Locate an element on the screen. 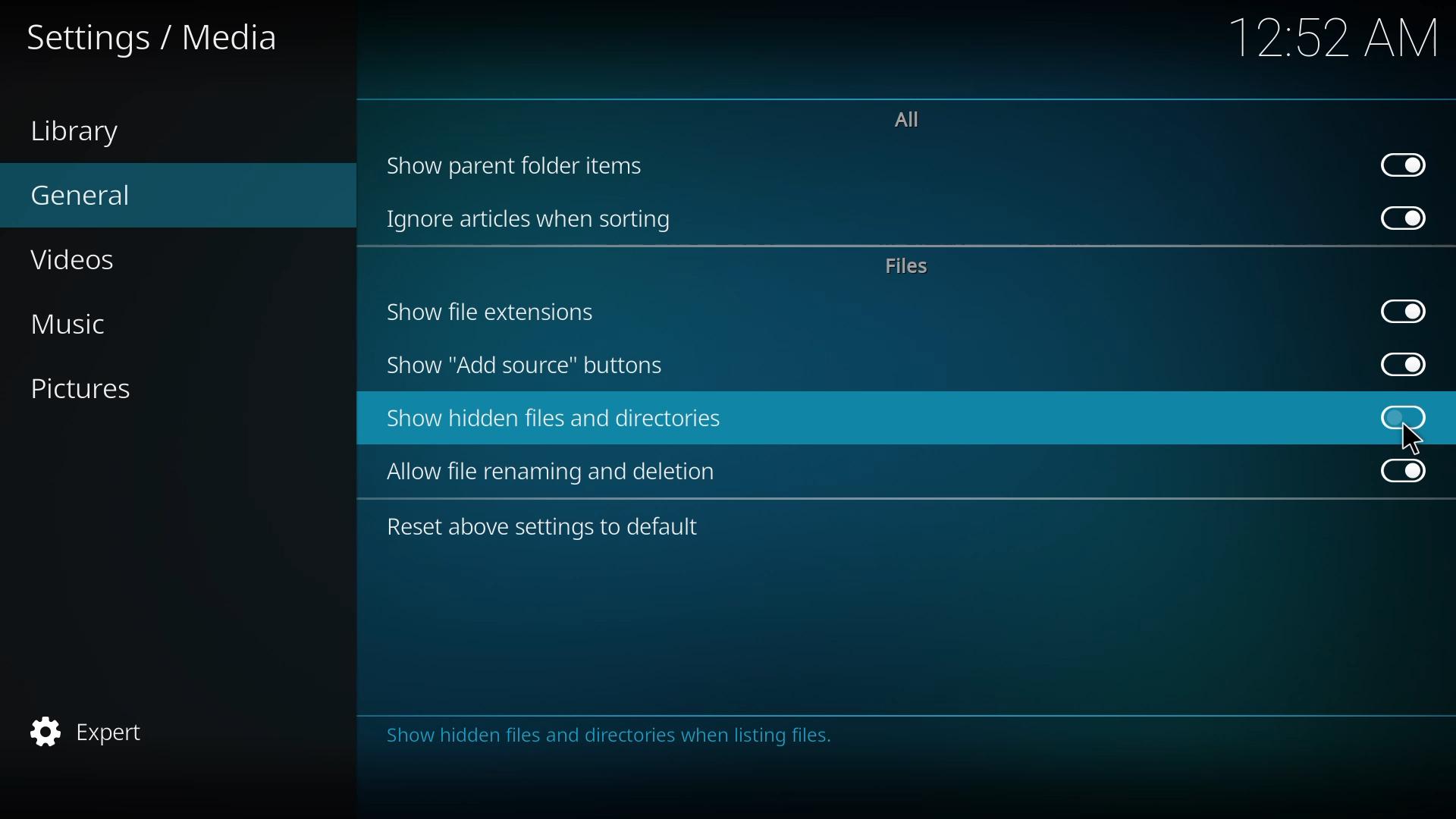 This screenshot has width=1456, height=819. show parent folder items is located at coordinates (519, 166).